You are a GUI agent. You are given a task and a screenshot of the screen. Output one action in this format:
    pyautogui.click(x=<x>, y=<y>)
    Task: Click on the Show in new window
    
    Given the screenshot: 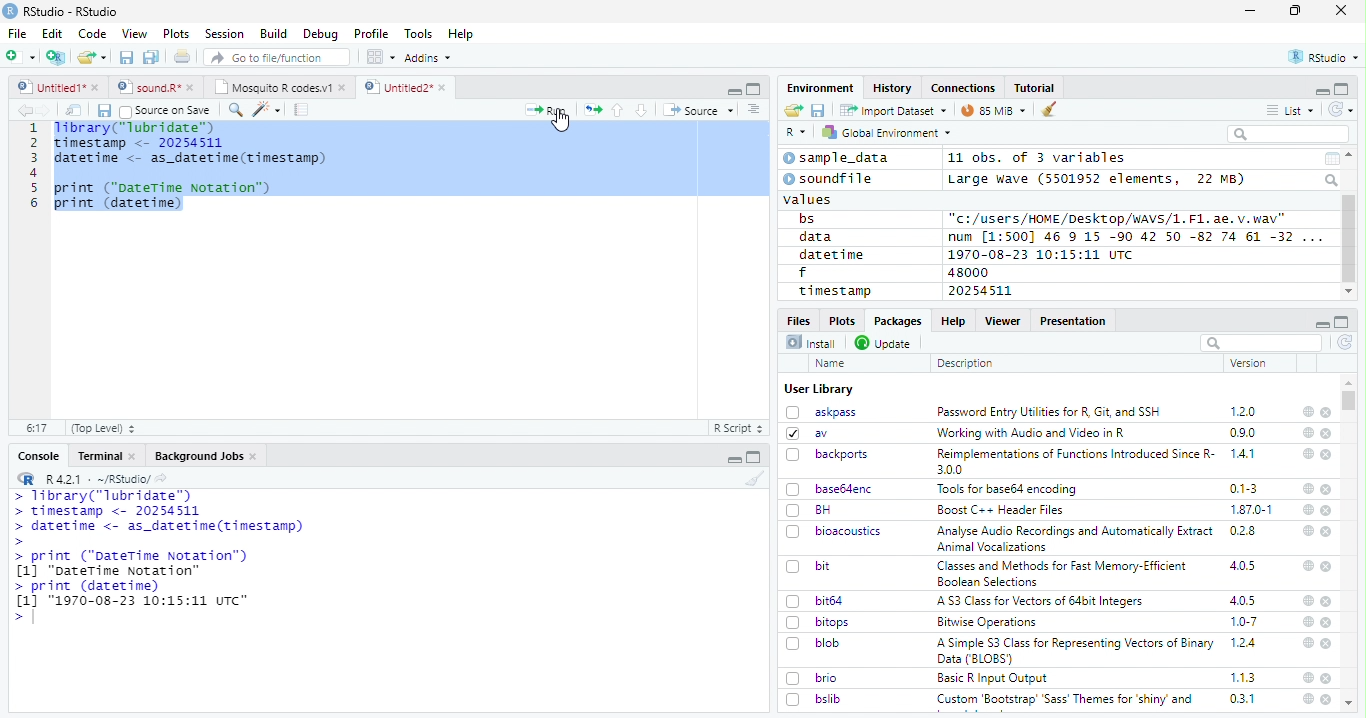 What is the action you would take?
    pyautogui.click(x=76, y=110)
    